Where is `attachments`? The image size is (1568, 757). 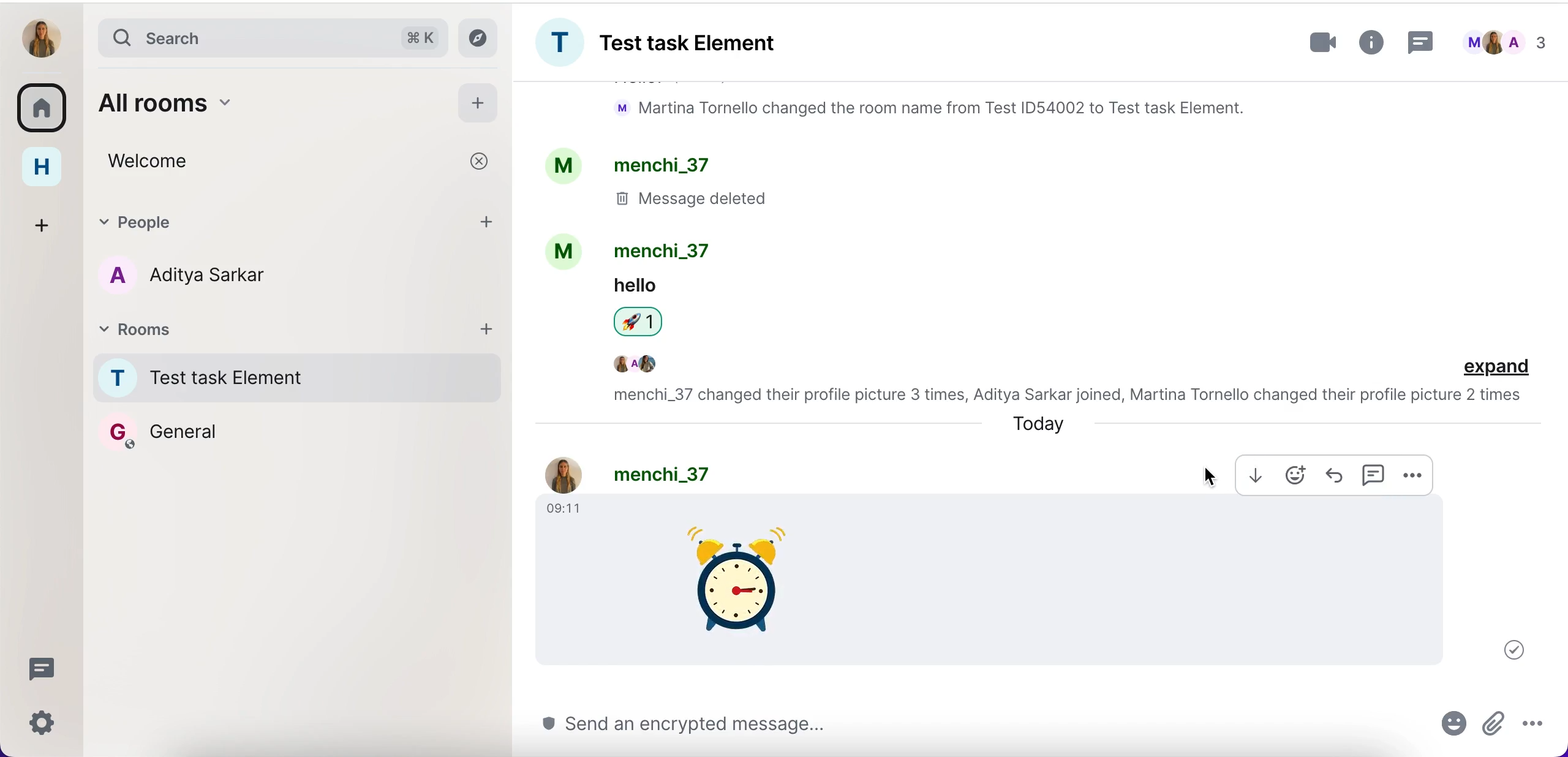 attachments is located at coordinates (1491, 722).